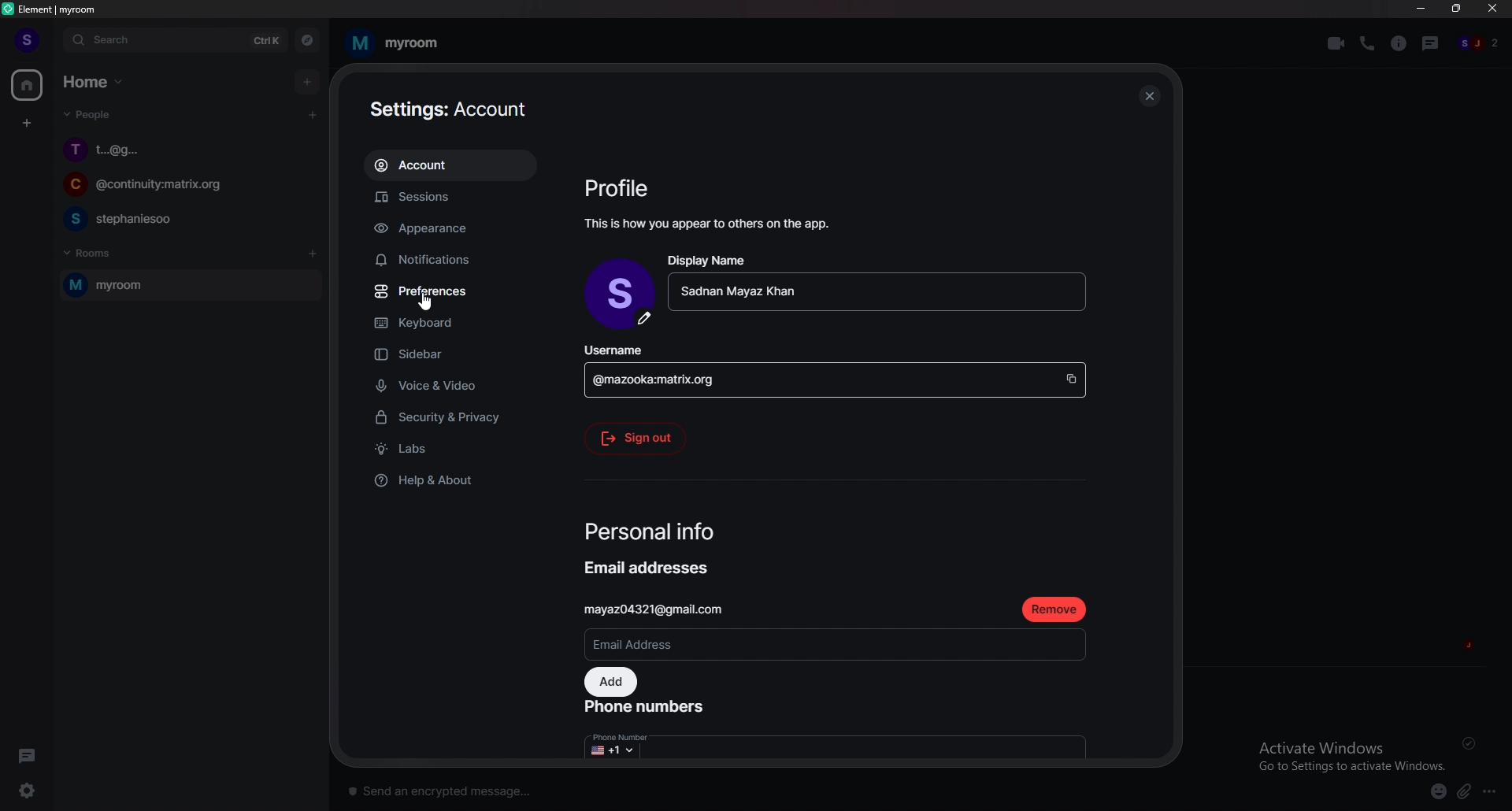 The height and width of the screenshot is (811, 1512). I want to click on settings account, so click(457, 111).